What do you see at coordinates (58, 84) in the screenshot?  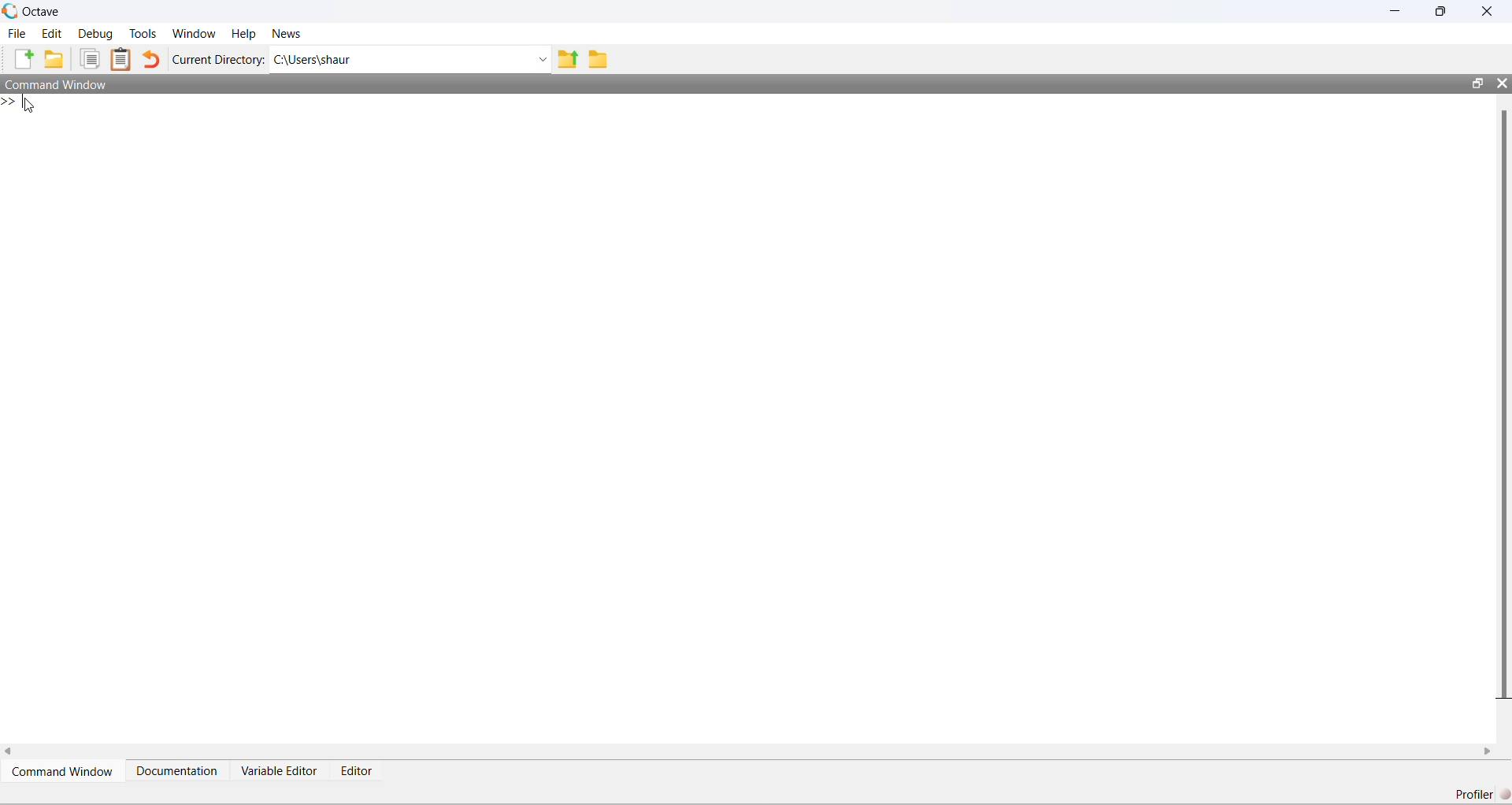 I see `Command Window` at bounding box center [58, 84].